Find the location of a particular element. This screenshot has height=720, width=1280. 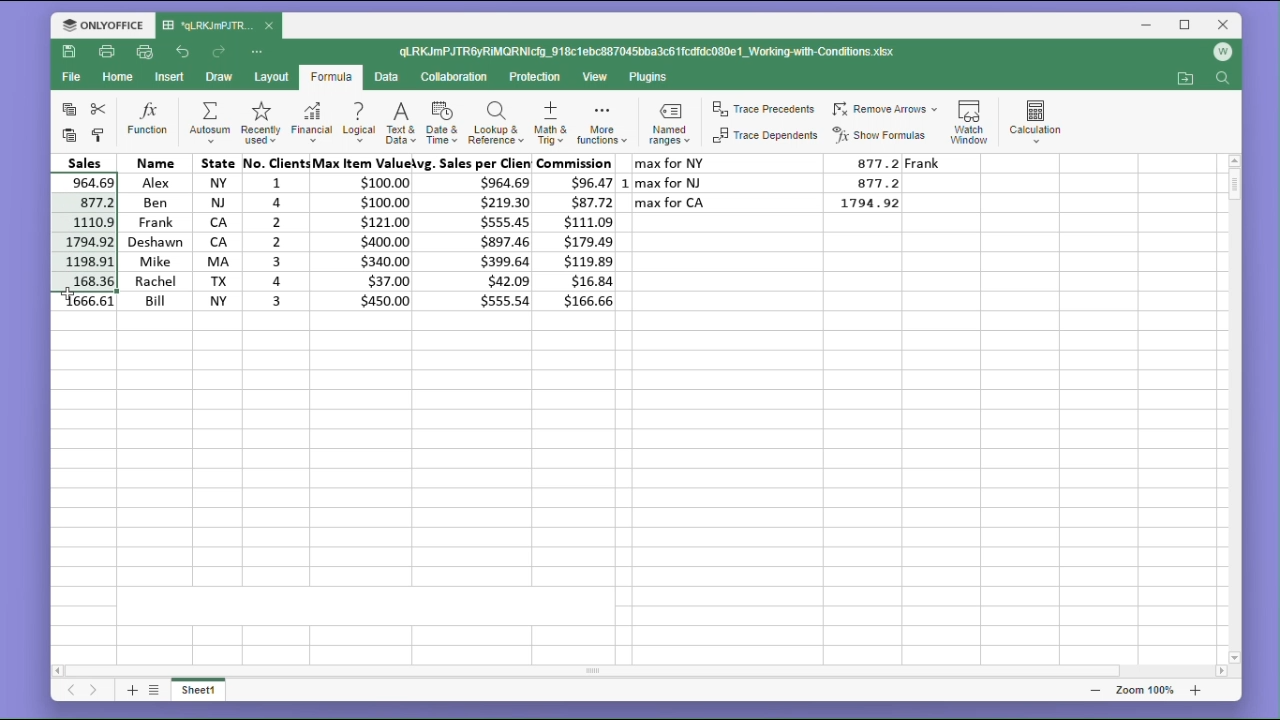

sheet 1 is located at coordinates (206, 692).